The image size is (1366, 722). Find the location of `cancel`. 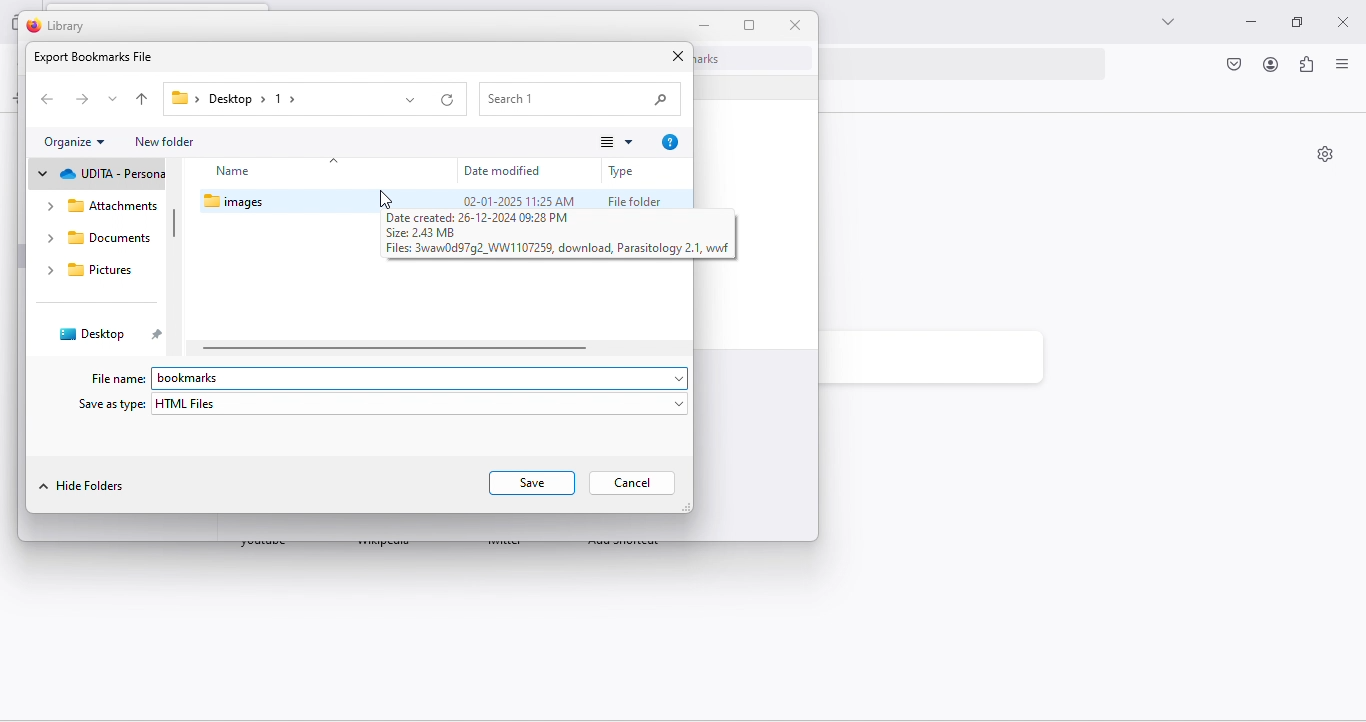

cancel is located at coordinates (633, 483).